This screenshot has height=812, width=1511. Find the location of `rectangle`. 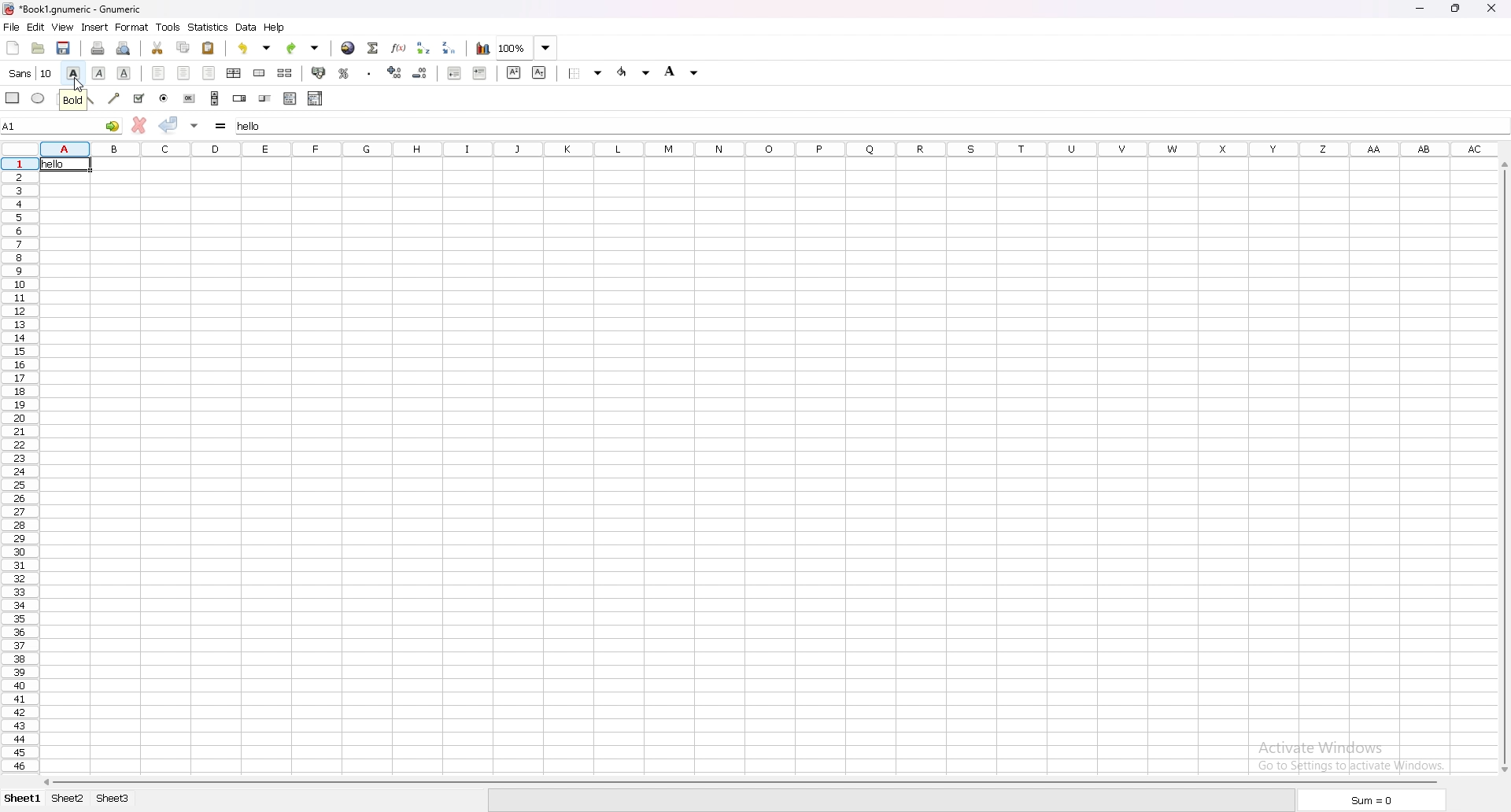

rectangle is located at coordinates (13, 97).